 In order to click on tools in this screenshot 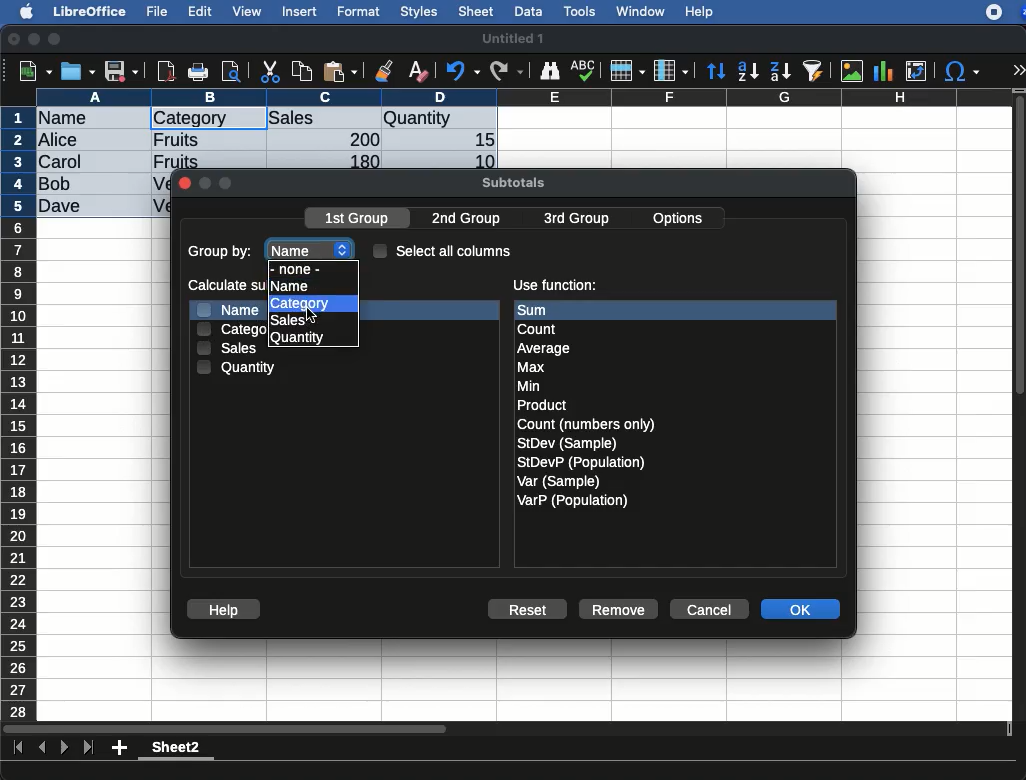, I will do `click(581, 11)`.